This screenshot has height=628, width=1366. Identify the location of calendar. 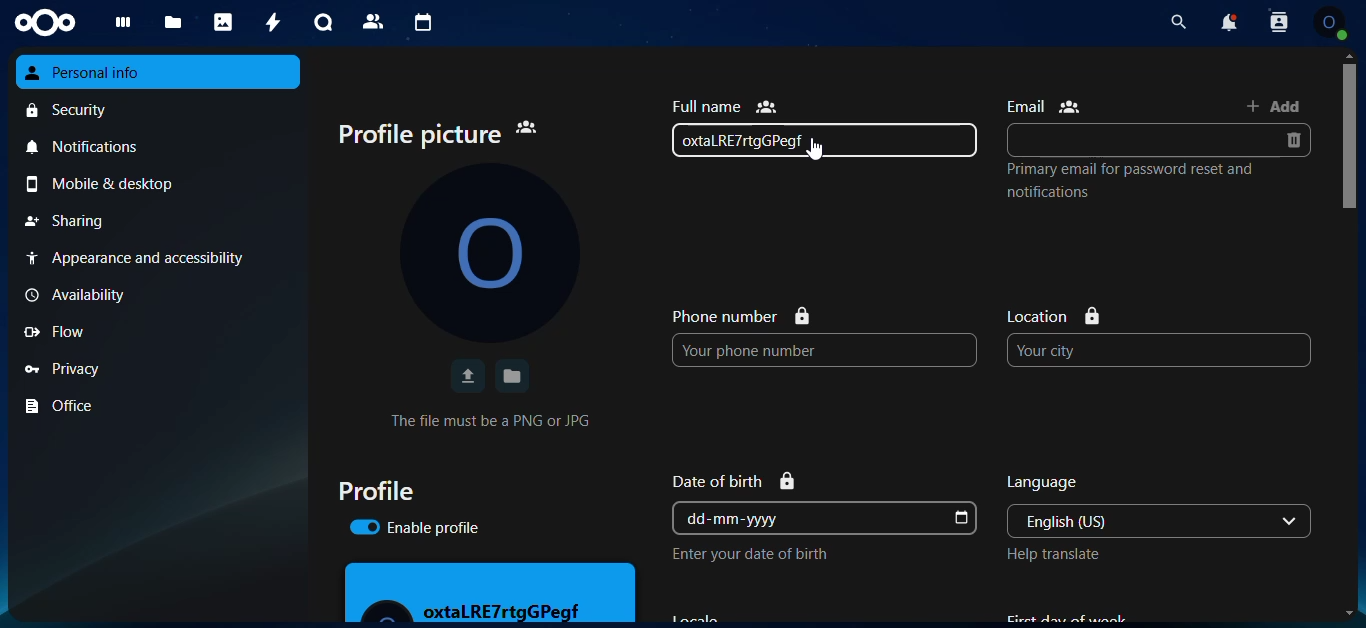
(419, 22).